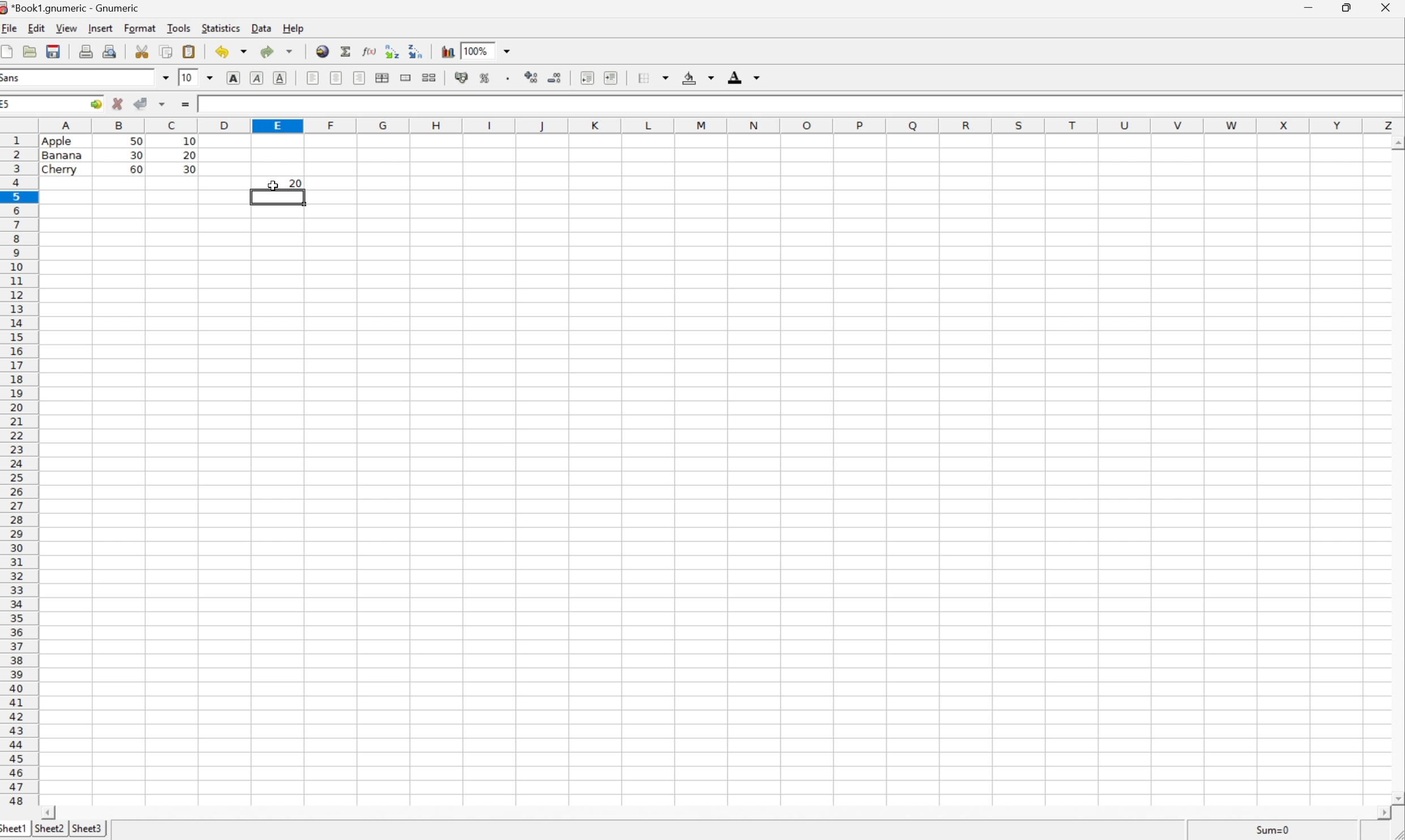 The height and width of the screenshot is (840, 1405). Describe the element at coordinates (310, 78) in the screenshot. I see `align left` at that location.